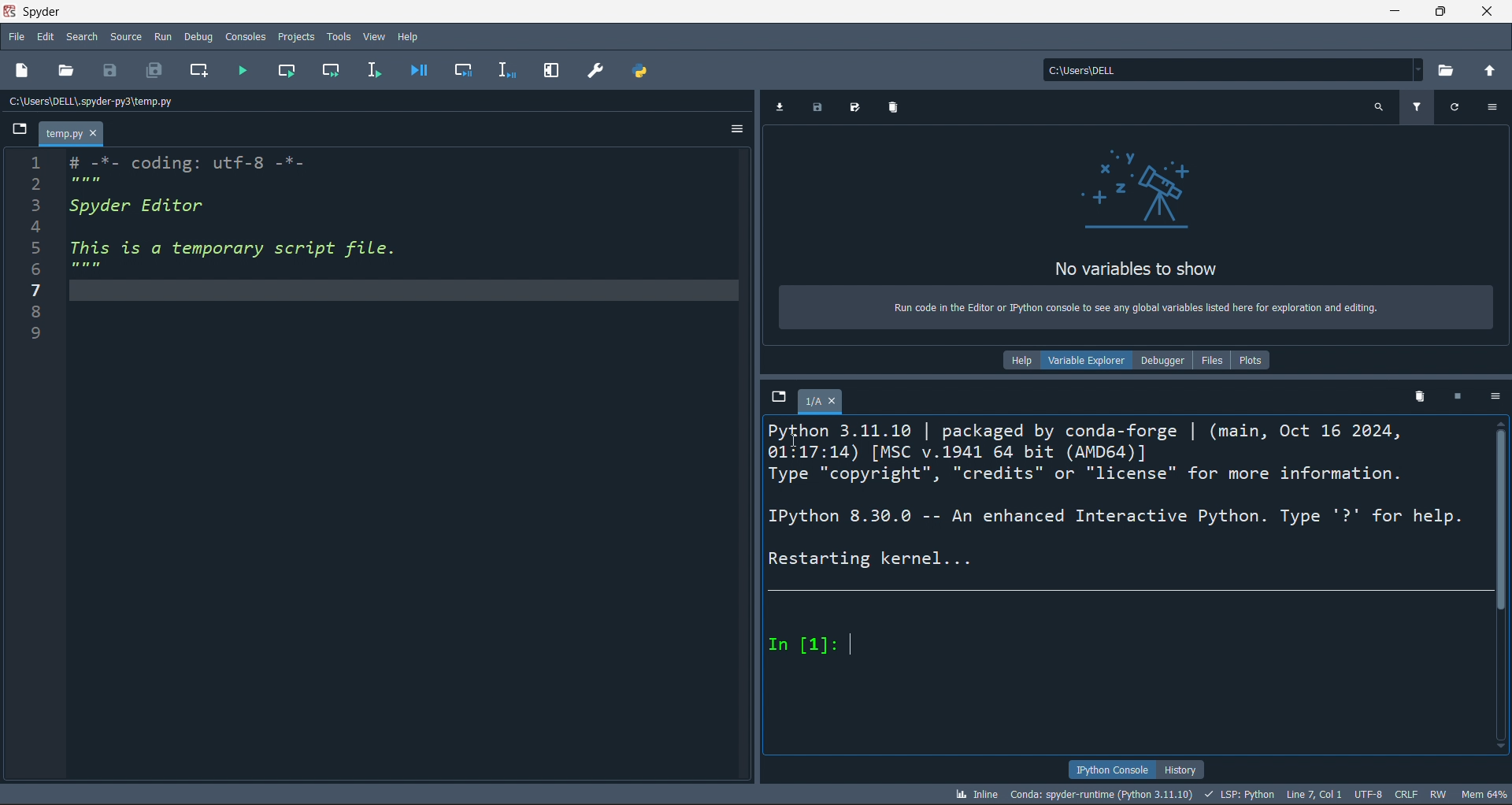 Image resolution: width=1512 pixels, height=805 pixels. I want to click on FCT 3.11.10 | packaged by conda-forge | (main, Oct 16 2024,
01:17:14) [MSC v.1941 64 bit (AMD64)]

Type "copyright", "credits" or "license" for more information.
IPython 8.30.0 -- An enhanced Interactive Python. Type '?' for help.
Restarting kernel...

In [1]:, so click(1114, 560).